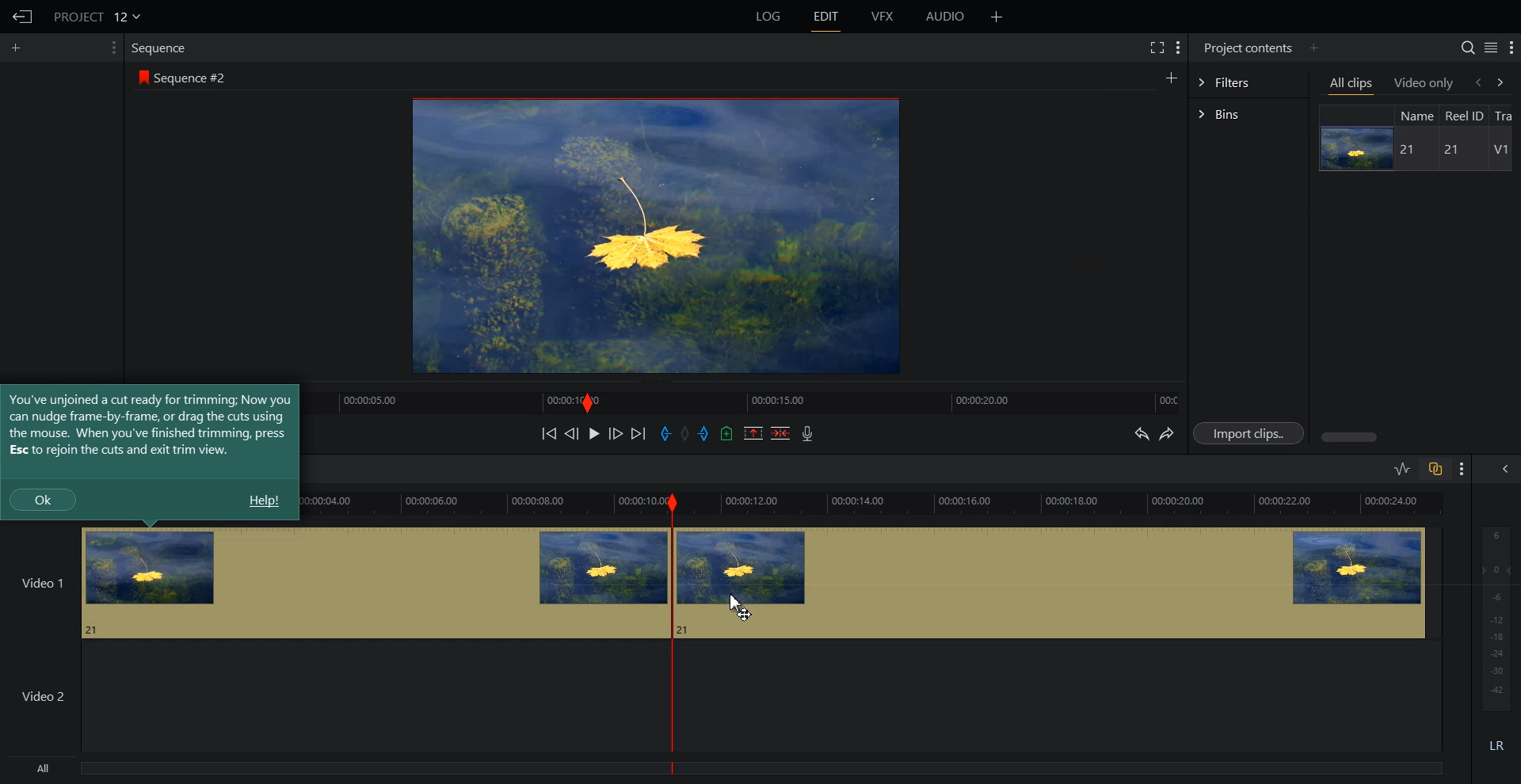 This screenshot has width=1521, height=784. Describe the element at coordinates (1448, 150) in the screenshot. I see `21` at that location.